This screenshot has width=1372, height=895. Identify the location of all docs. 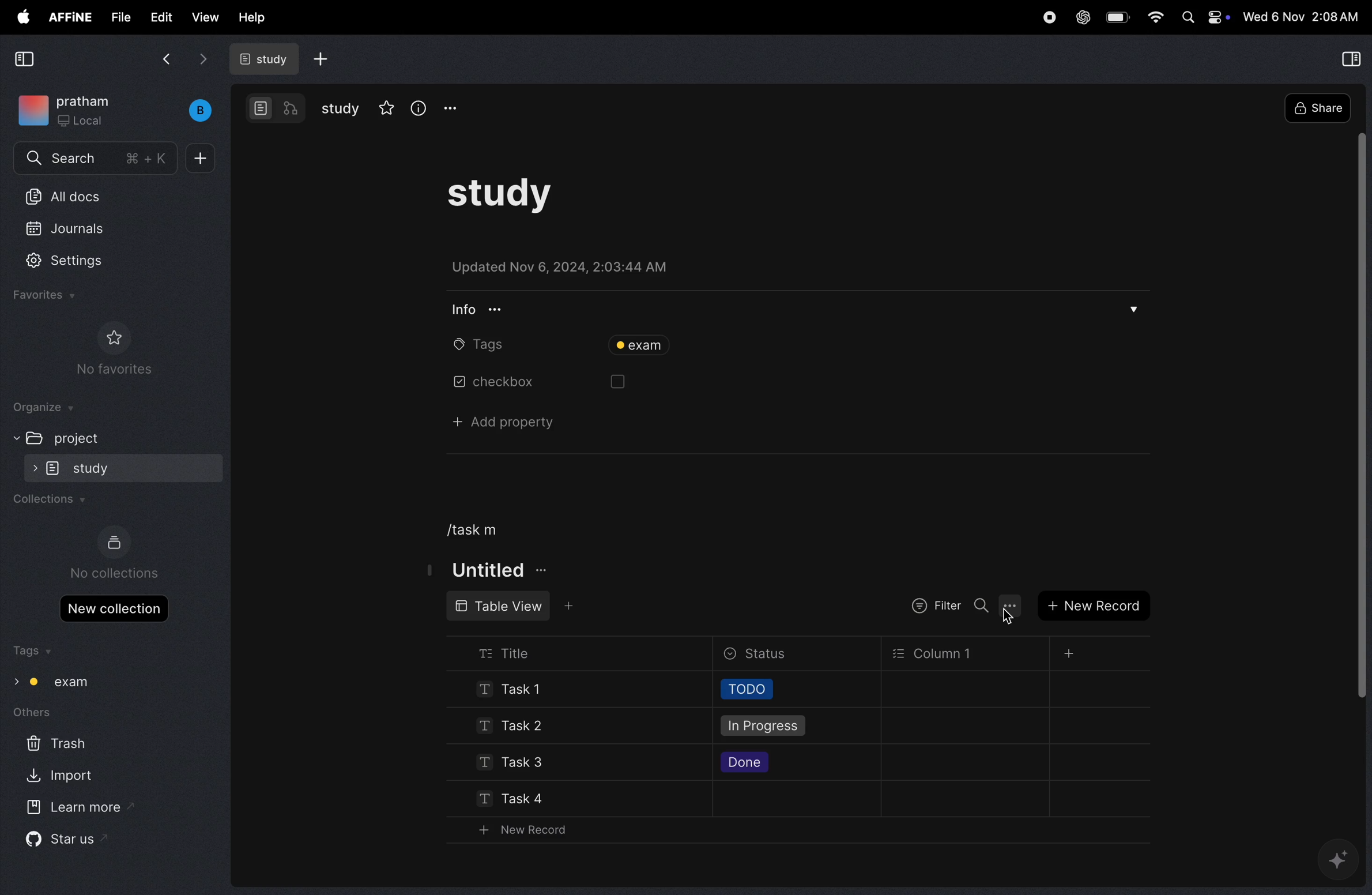
(81, 196).